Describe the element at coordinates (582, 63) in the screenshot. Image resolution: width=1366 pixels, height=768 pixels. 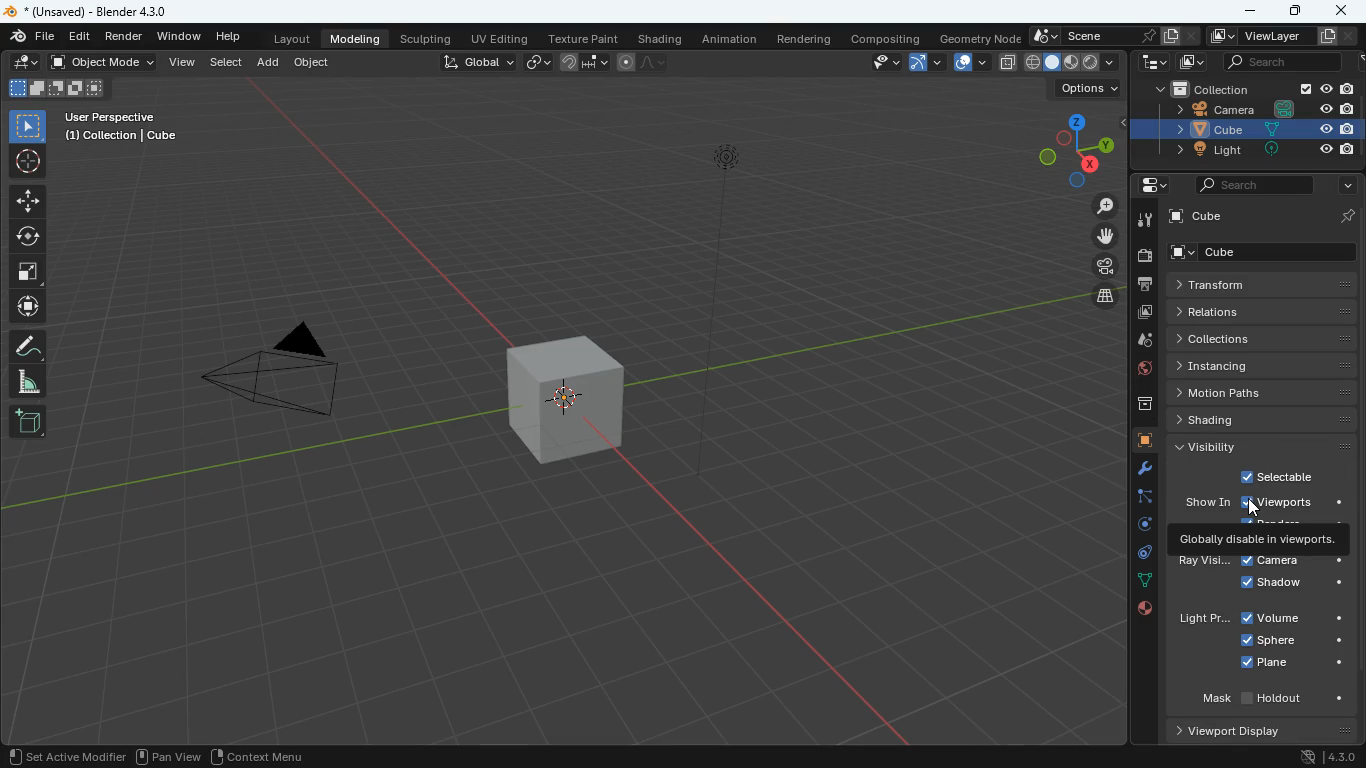
I see `join` at that location.